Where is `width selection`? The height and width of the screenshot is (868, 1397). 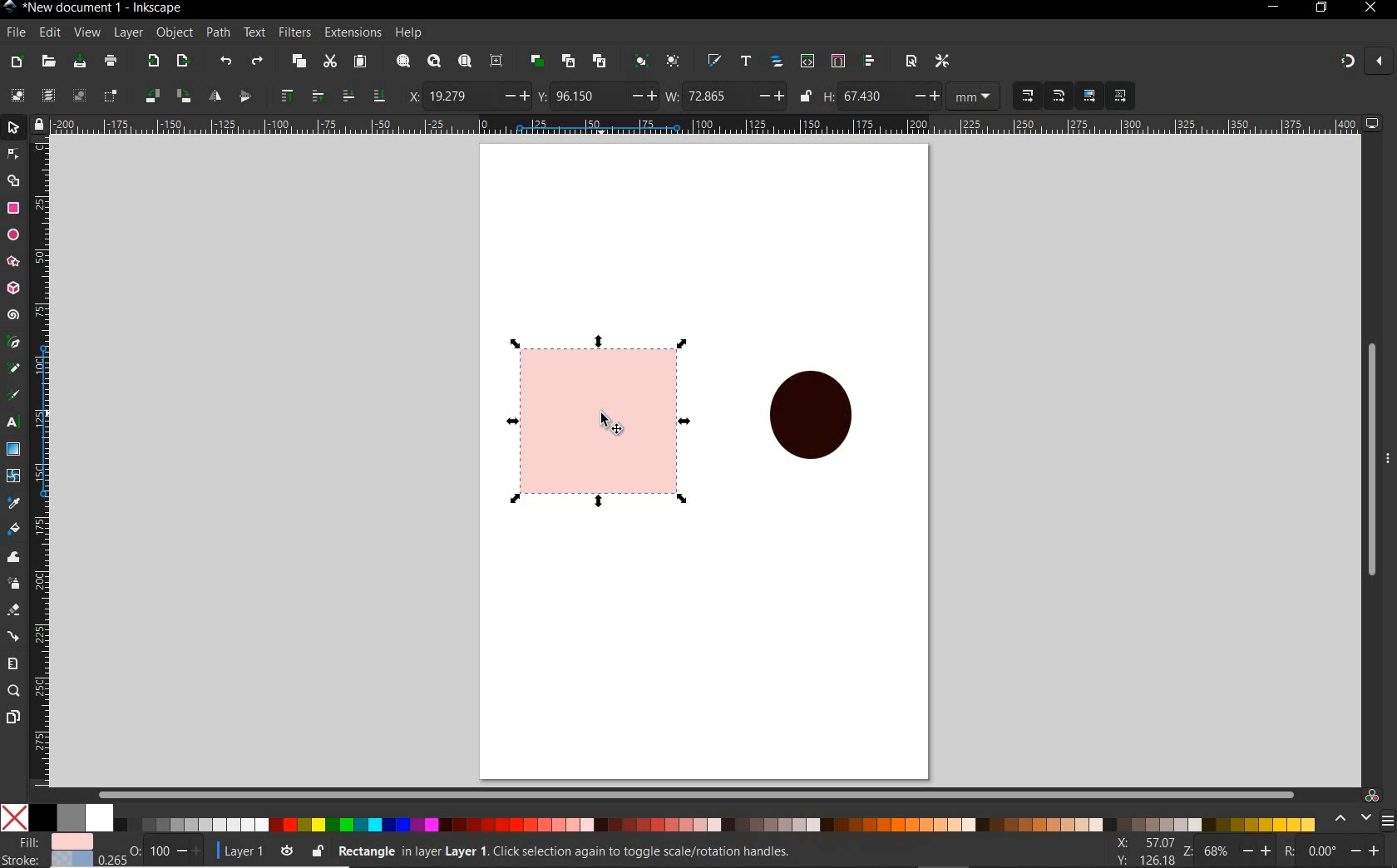
width selection is located at coordinates (723, 97).